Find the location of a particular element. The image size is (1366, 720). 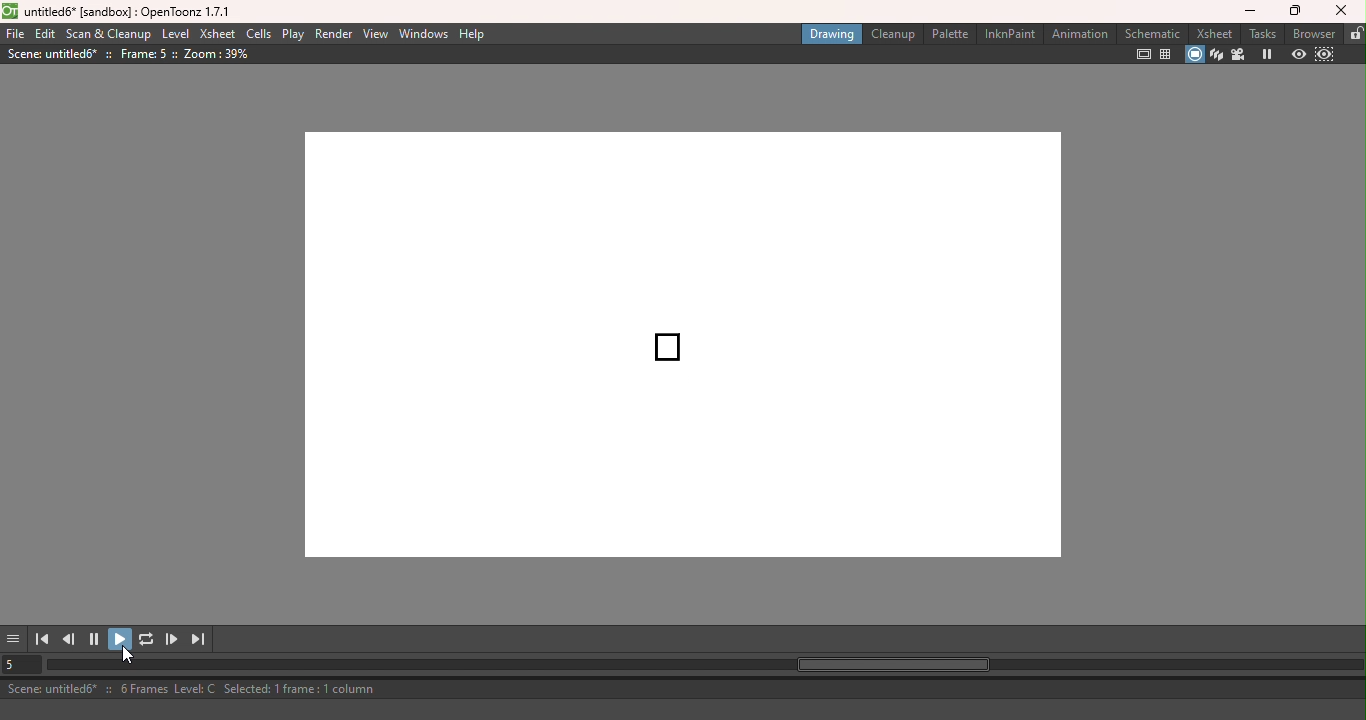

Edit is located at coordinates (45, 34).